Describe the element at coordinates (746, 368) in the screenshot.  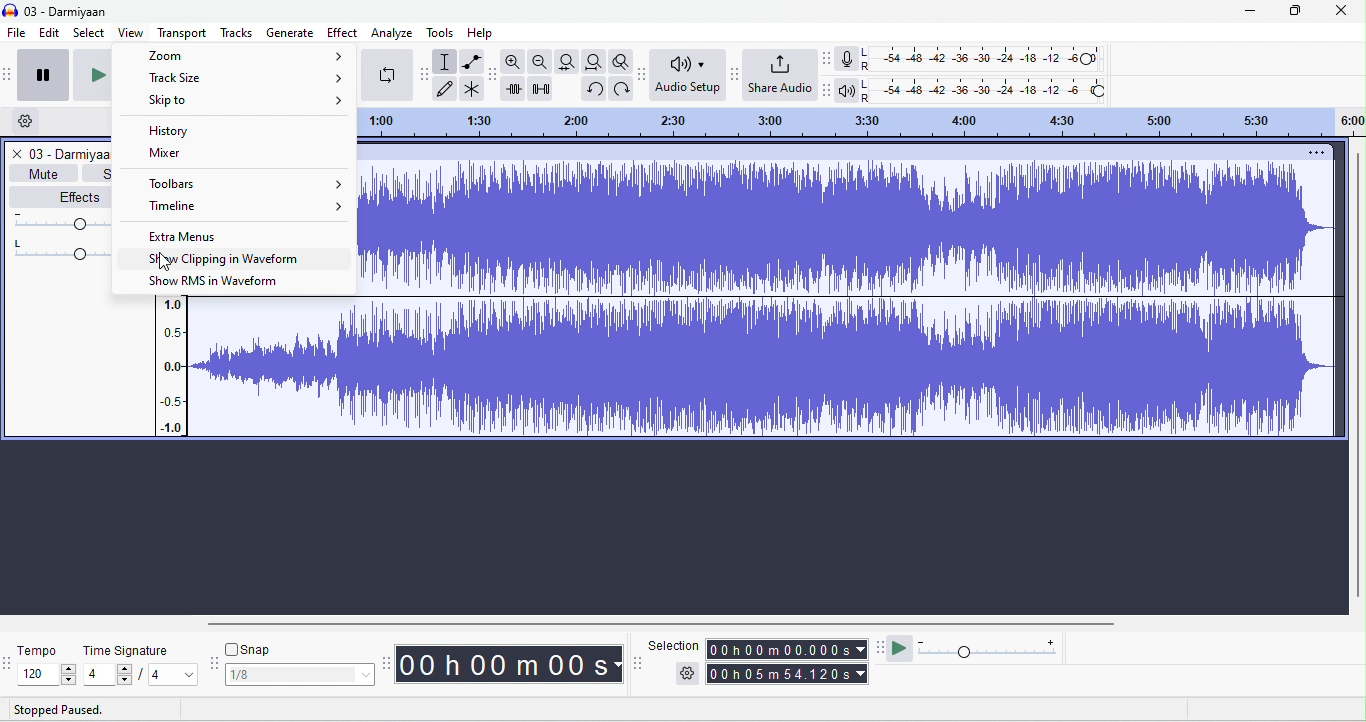
I see `waveform` at that location.